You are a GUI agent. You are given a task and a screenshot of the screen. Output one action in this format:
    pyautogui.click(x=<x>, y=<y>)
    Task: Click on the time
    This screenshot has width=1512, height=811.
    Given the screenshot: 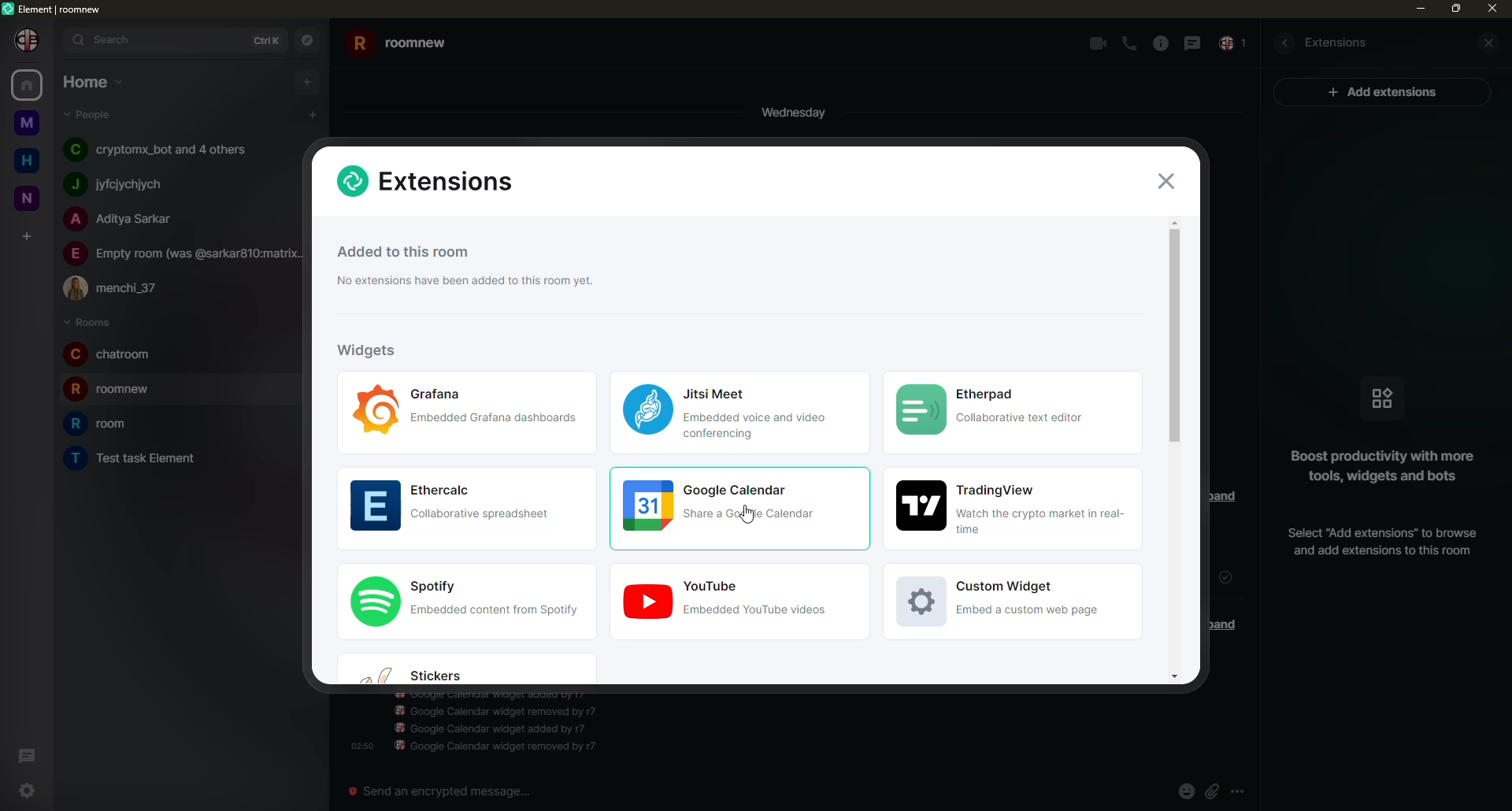 What is the action you would take?
    pyautogui.click(x=359, y=745)
    